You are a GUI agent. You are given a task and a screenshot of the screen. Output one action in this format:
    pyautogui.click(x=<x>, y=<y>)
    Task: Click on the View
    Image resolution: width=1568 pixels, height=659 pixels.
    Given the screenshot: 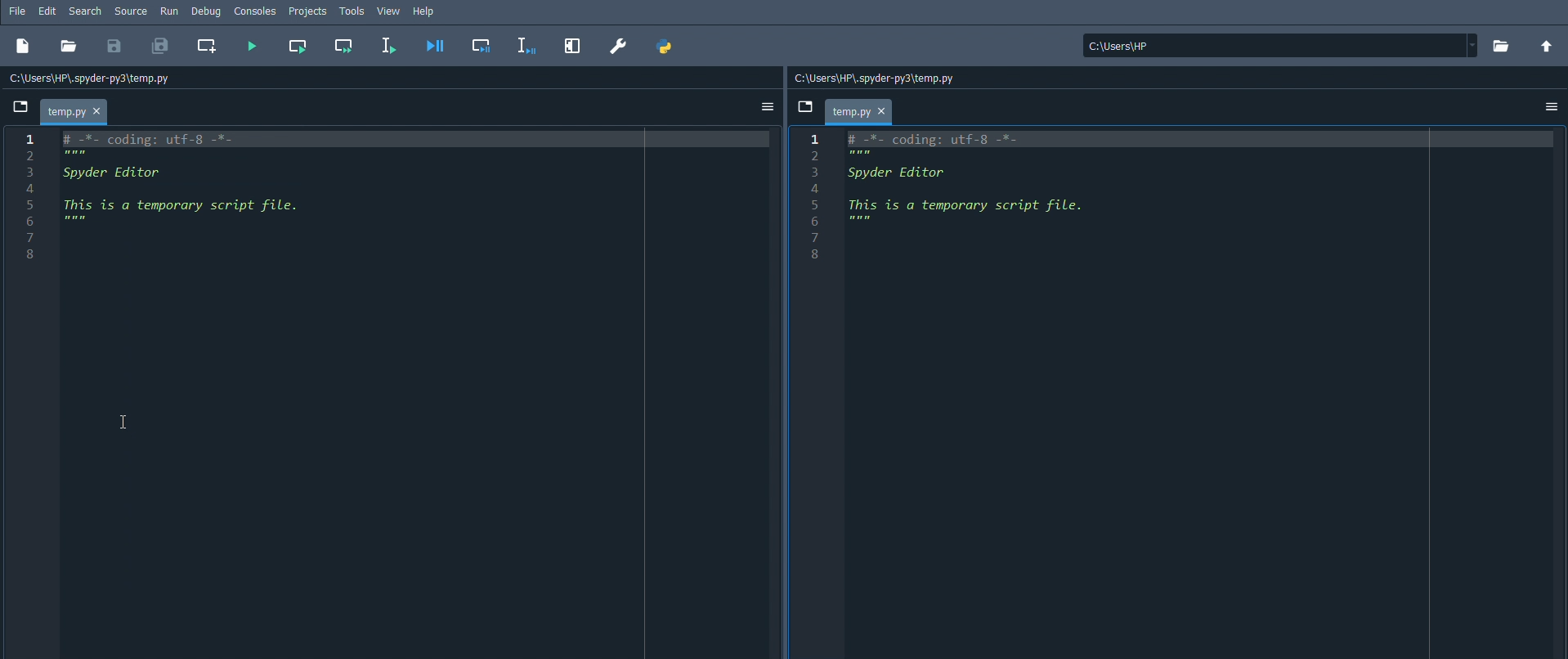 What is the action you would take?
    pyautogui.click(x=388, y=11)
    